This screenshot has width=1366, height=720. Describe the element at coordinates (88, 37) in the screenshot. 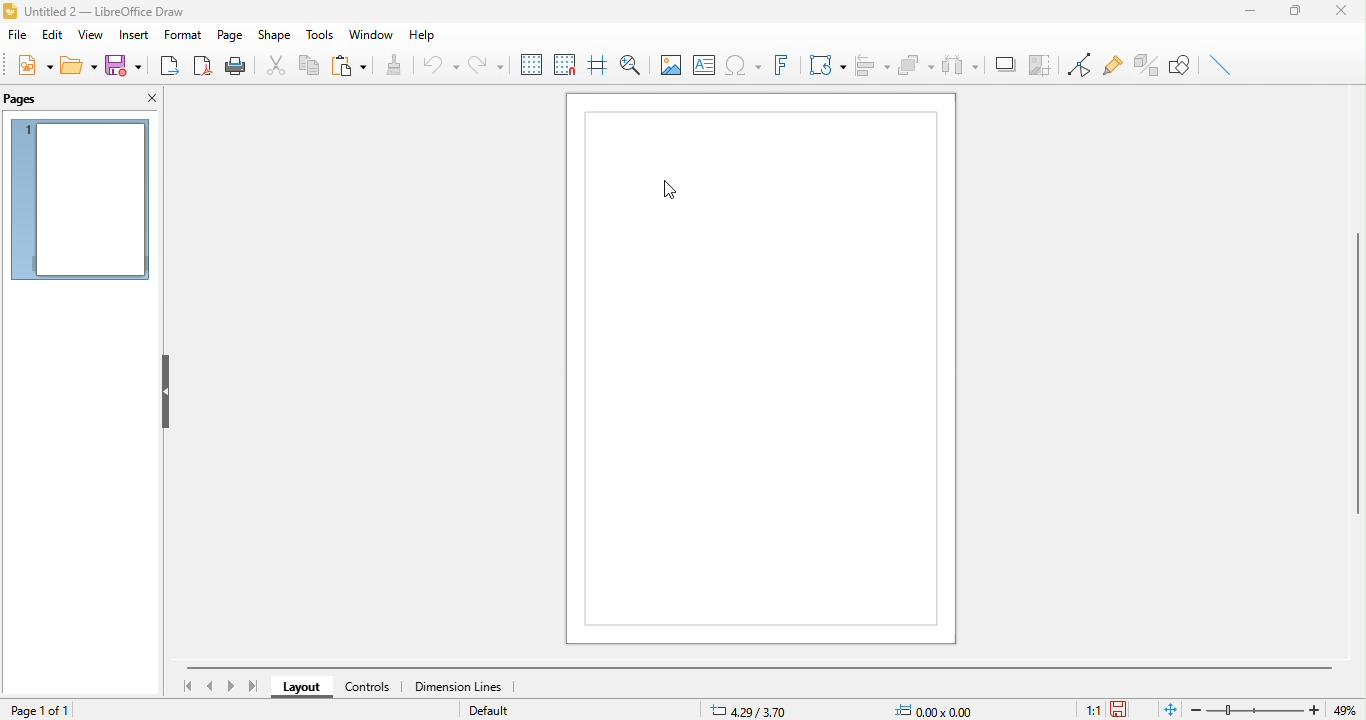

I see `view` at that location.